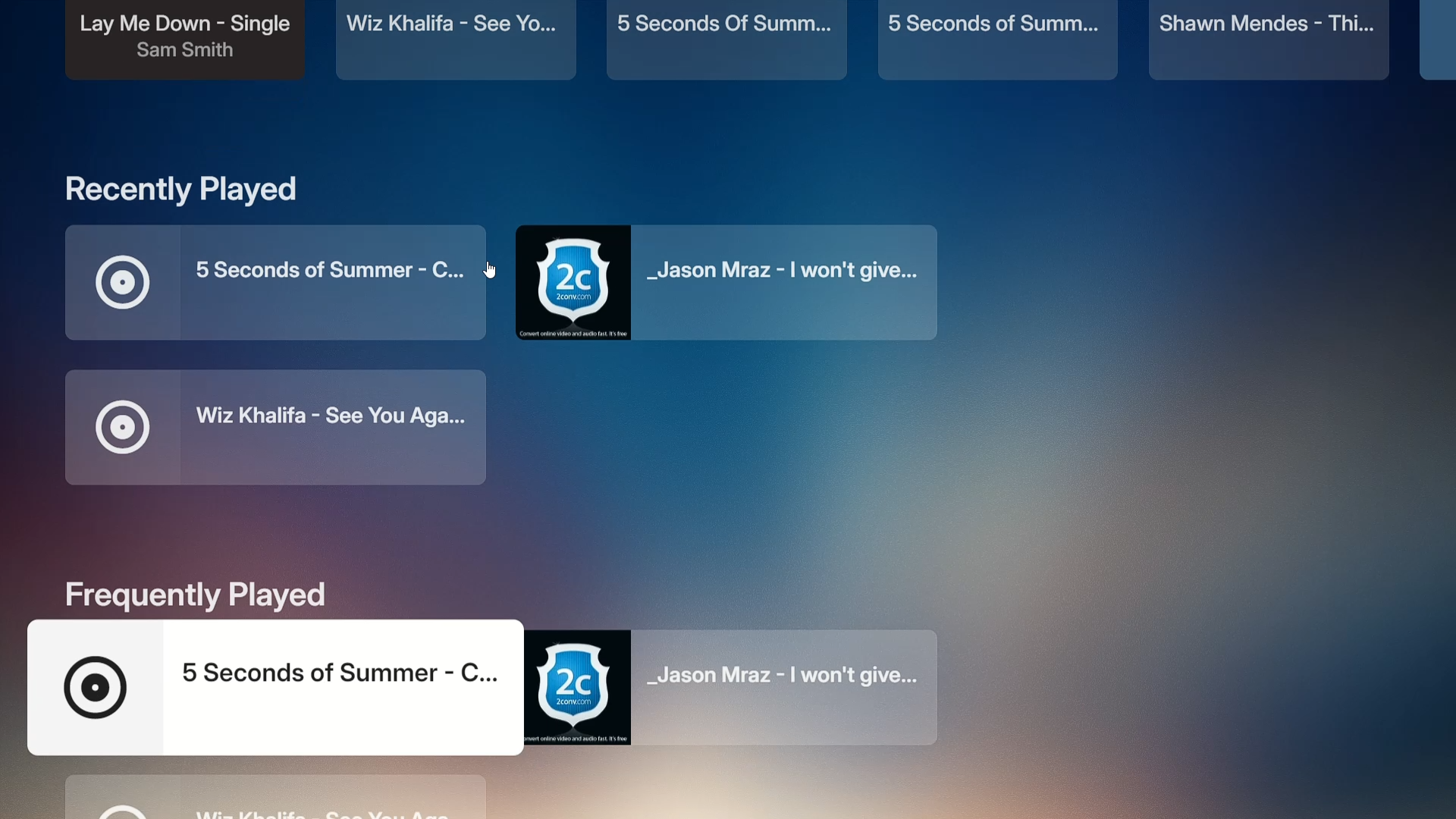 The height and width of the screenshot is (819, 1456). I want to click on Jason Mraz, so click(738, 281).